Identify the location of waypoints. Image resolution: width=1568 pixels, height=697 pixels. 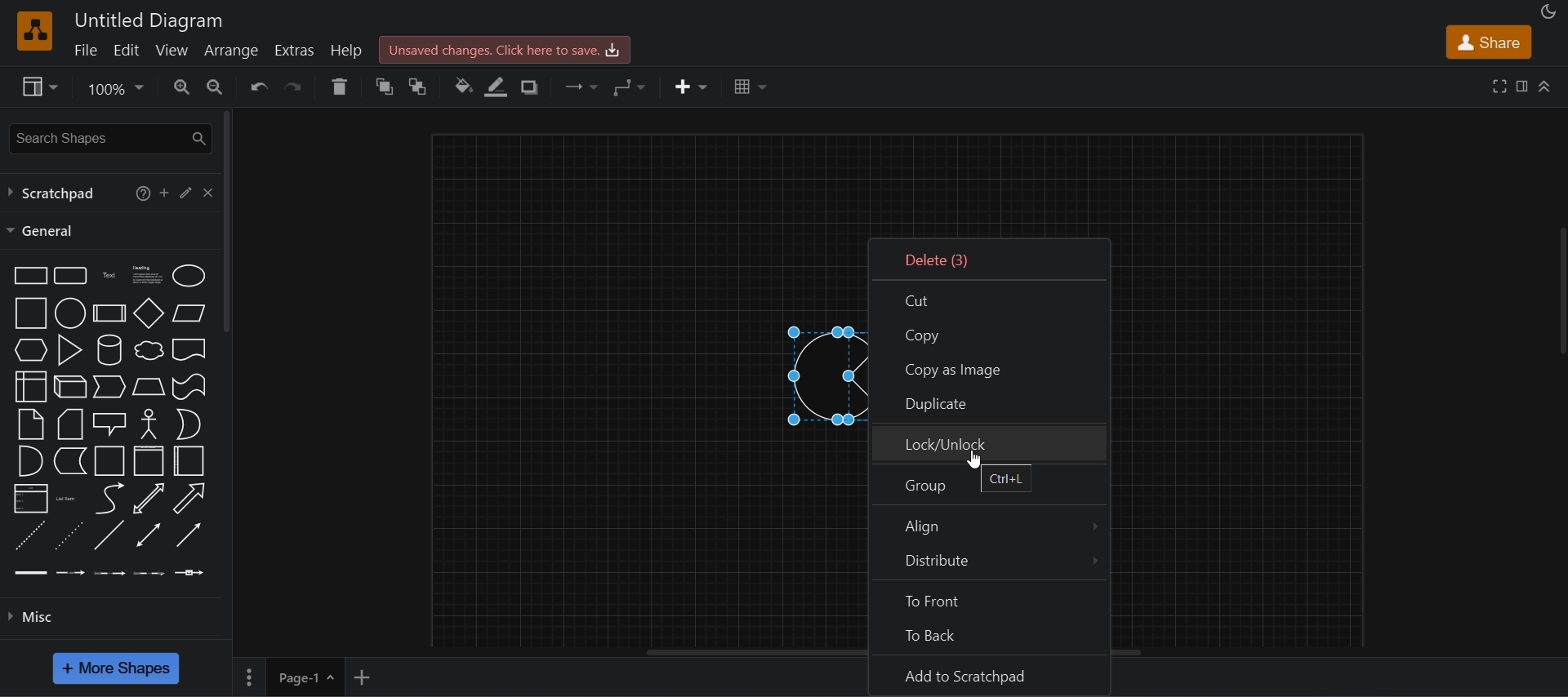
(630, 87).